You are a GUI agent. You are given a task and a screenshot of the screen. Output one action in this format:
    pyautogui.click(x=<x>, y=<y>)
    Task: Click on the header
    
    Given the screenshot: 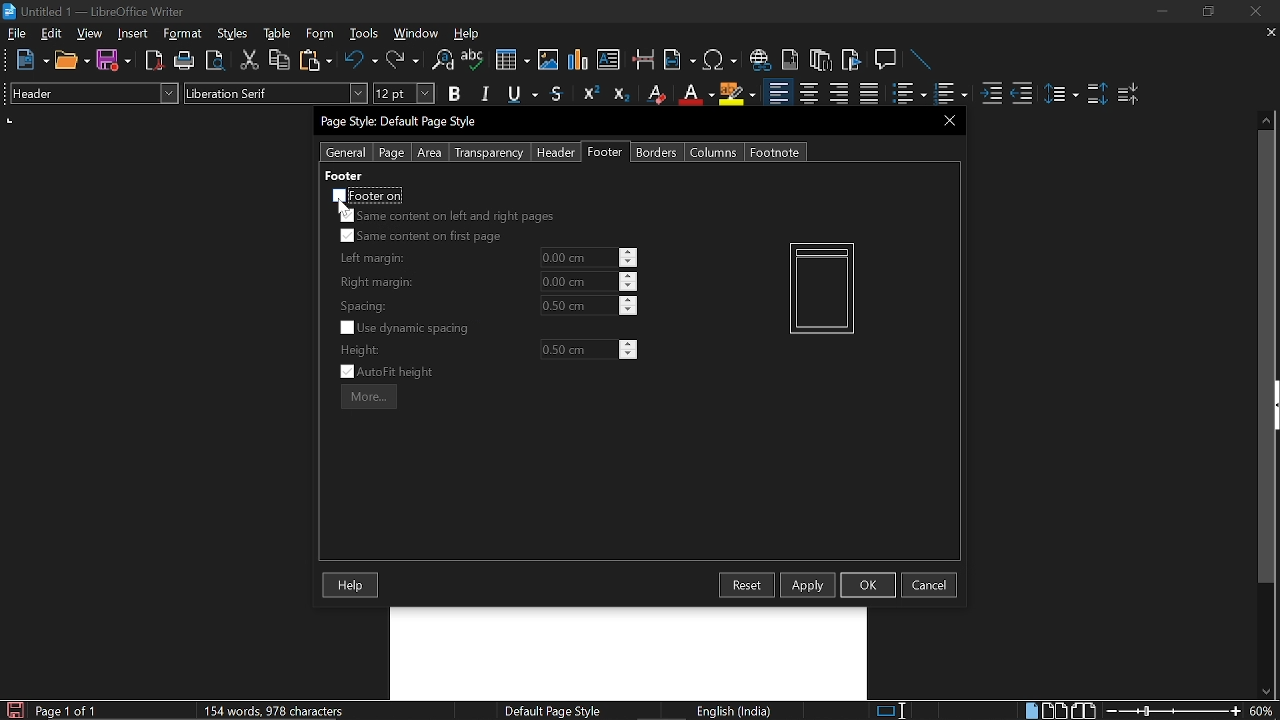 What is the action you would take?
    pyautogui.click(x=348, y=175)
    